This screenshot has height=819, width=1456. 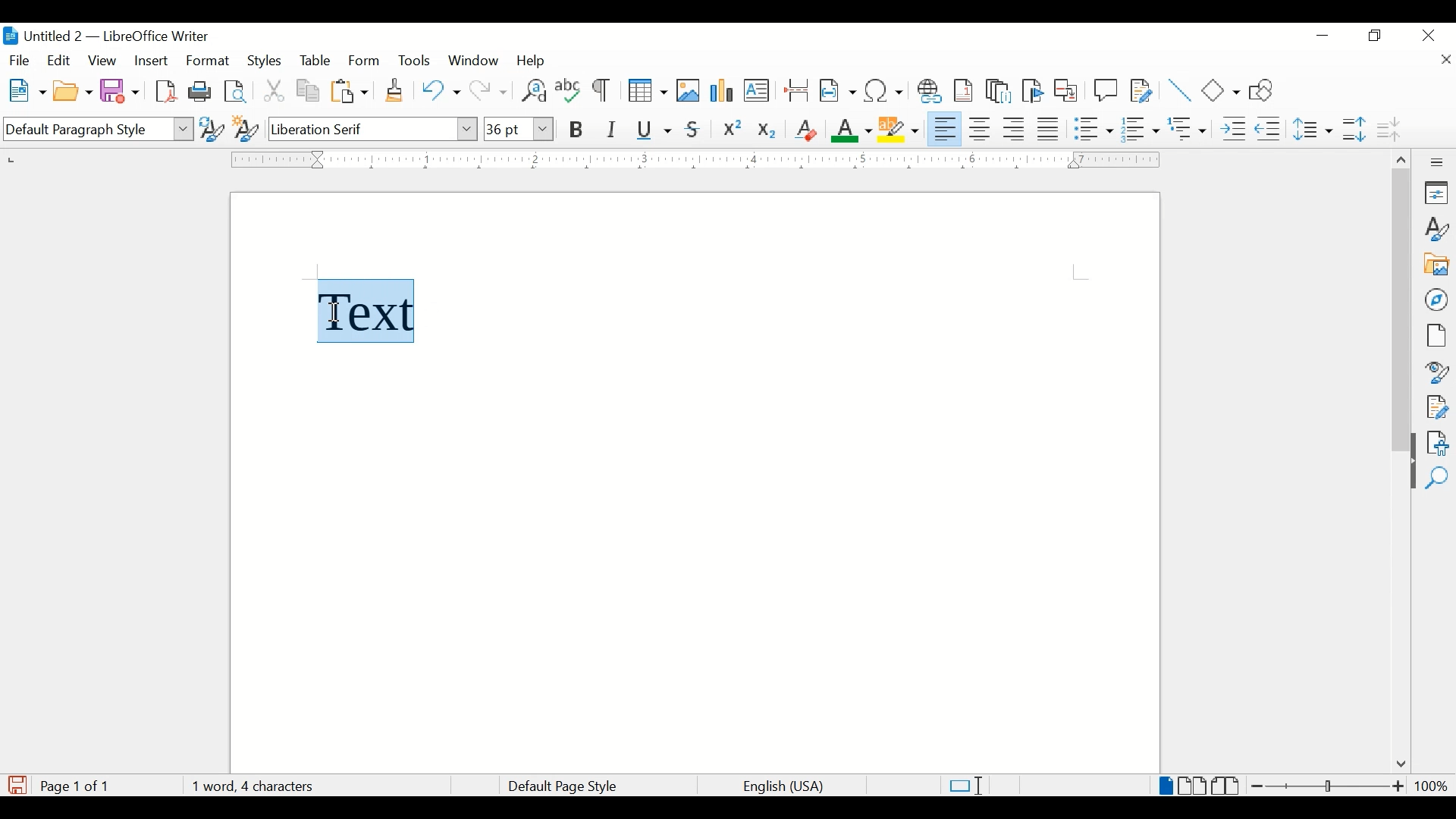 I want to click on paste , so click(x=350, y=91).